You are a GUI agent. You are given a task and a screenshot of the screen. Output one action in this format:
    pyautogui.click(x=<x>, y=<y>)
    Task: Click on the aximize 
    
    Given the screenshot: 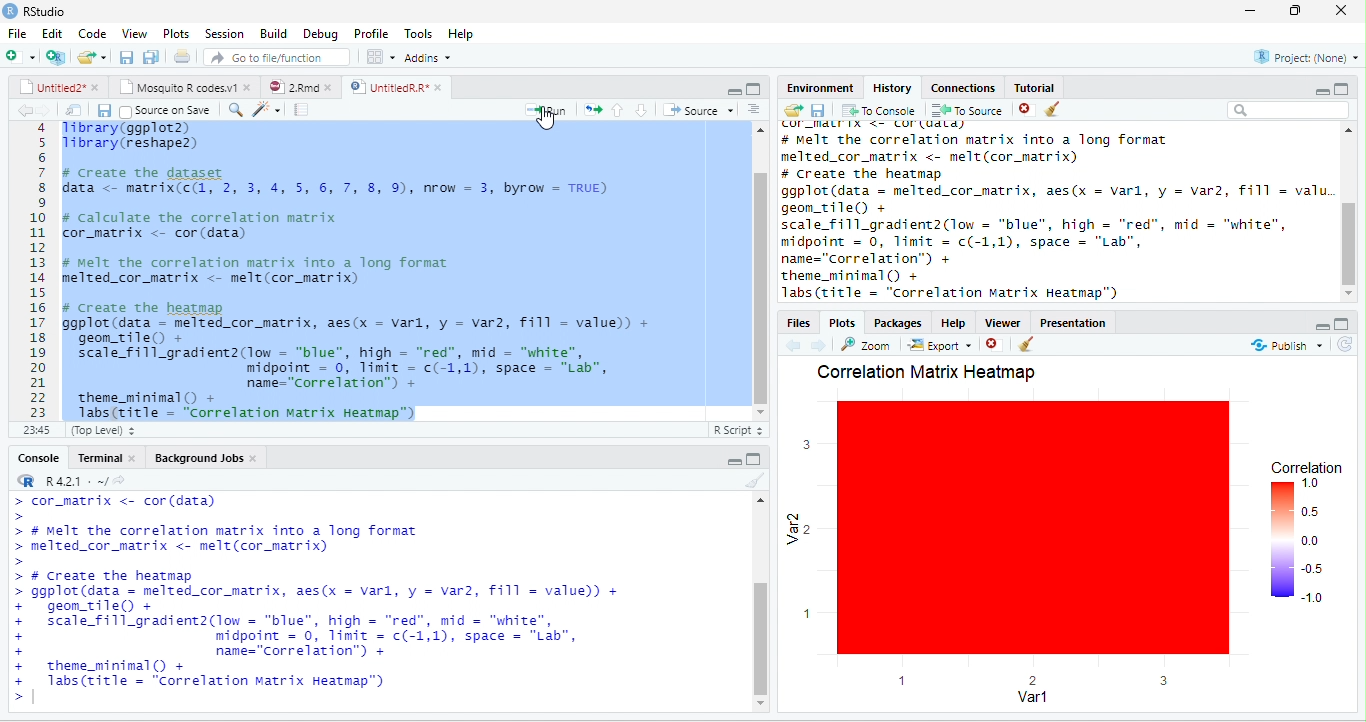 What is the action you would take?
    pyautogui.click(x=1348, y=86)
    